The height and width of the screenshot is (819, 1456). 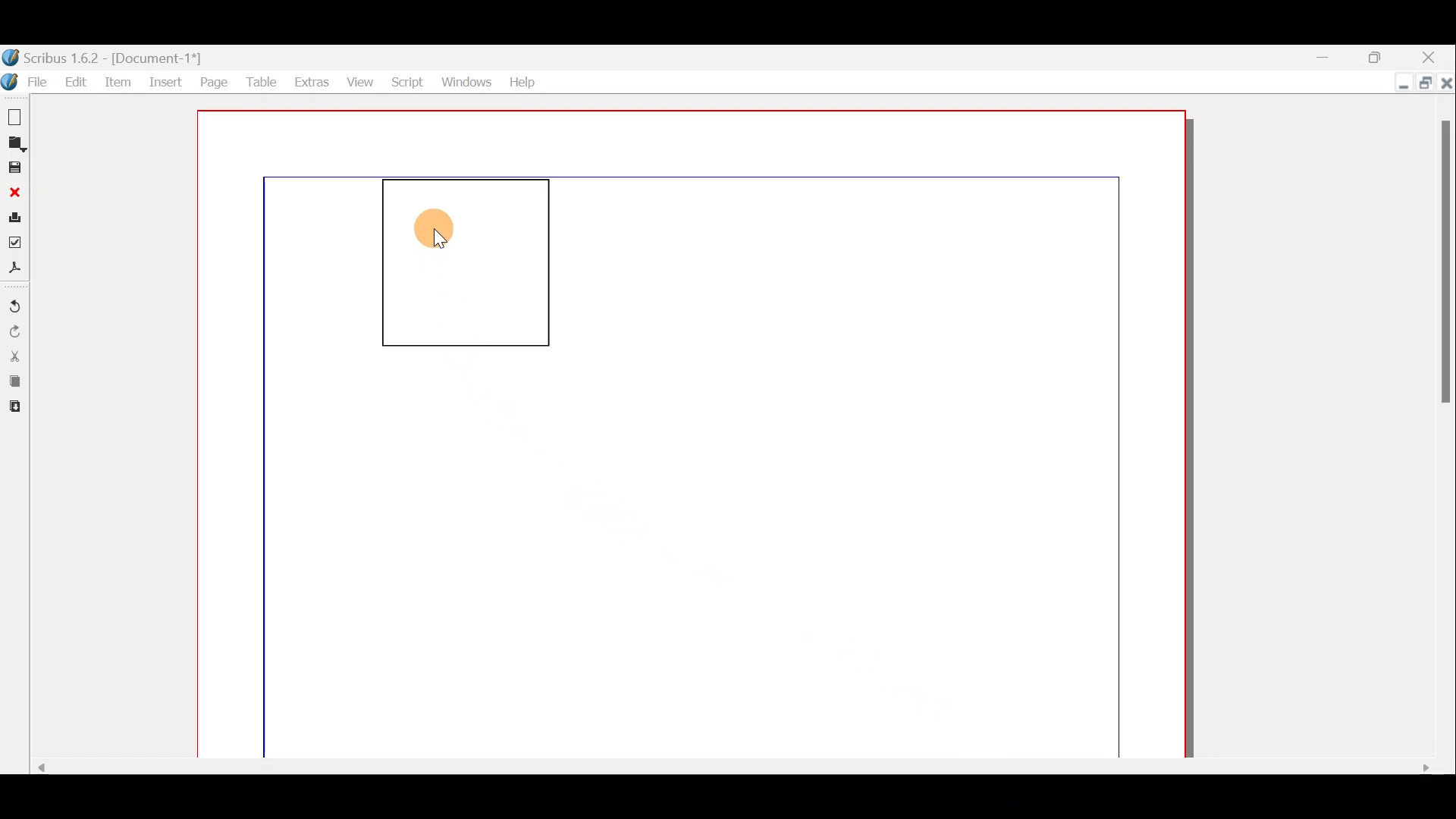 I want to click on Minimise, so click(x=1326, y=55).